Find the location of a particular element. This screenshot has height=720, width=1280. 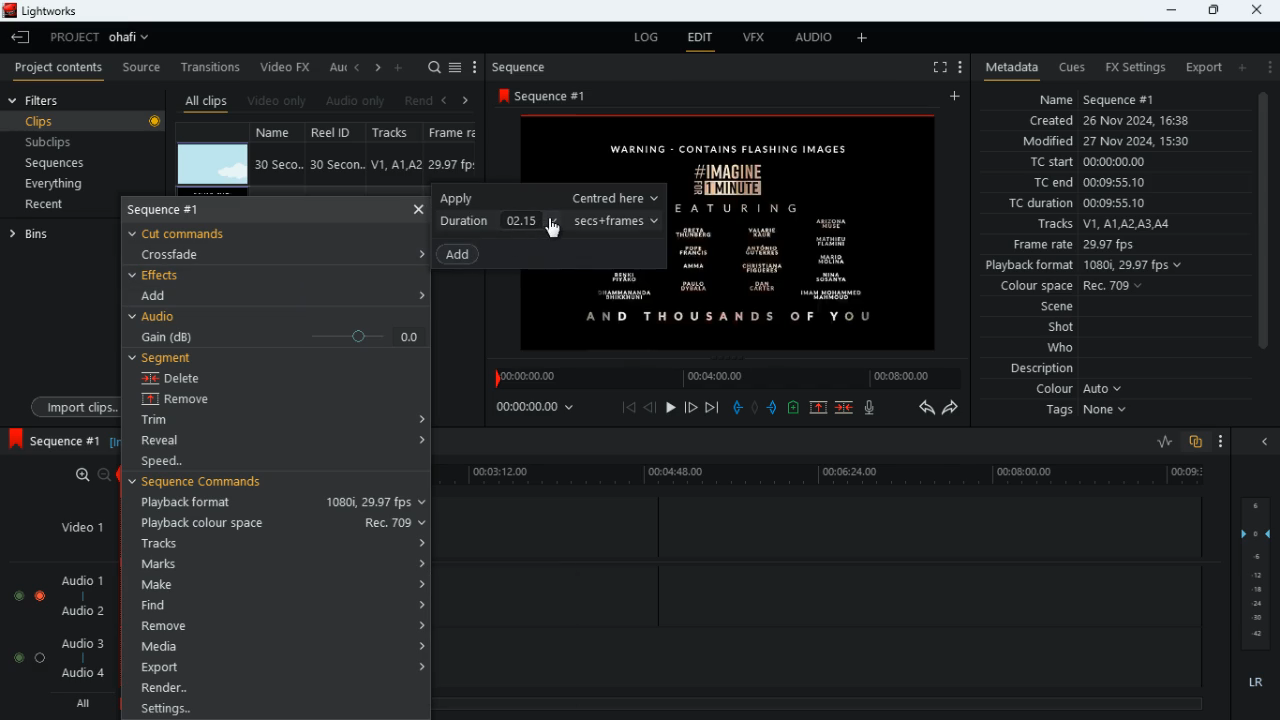

V1, A1, A2 is located at coordinates (394, 164).